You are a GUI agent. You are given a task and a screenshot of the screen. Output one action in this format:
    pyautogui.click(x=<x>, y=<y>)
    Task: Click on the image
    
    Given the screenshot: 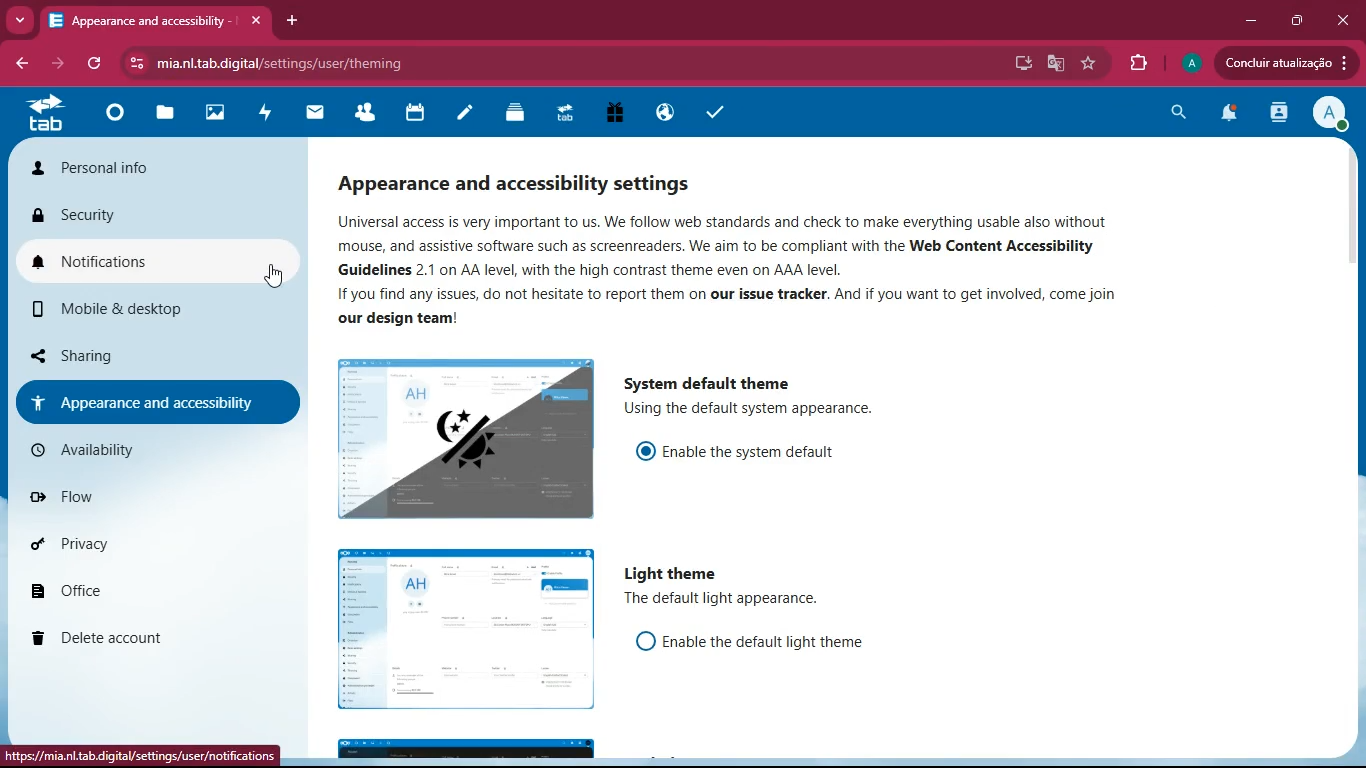 What is the action you would take?
    pyautogui.click(x=465, y=439)
    